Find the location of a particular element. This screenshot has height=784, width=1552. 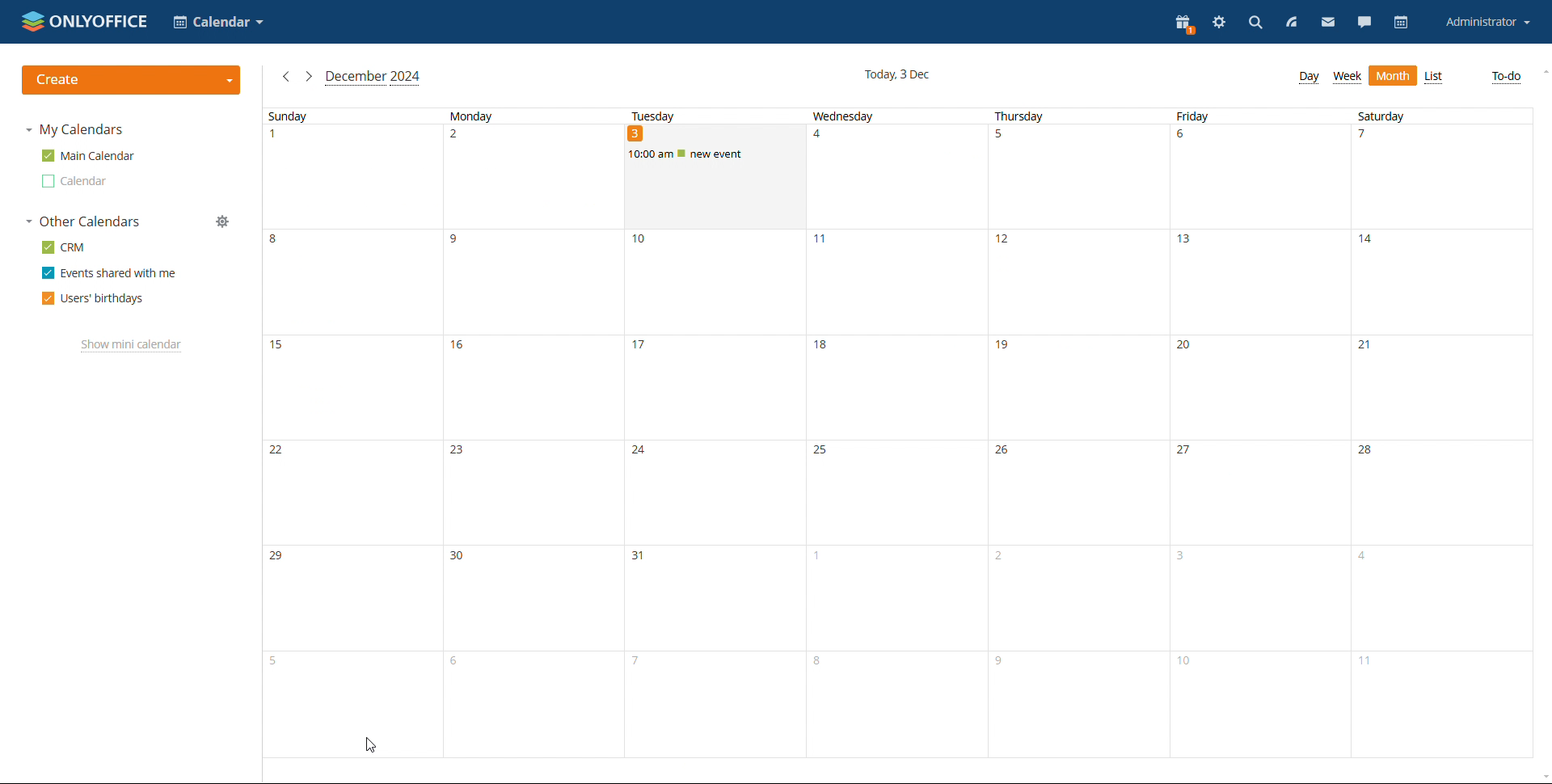

8 is located at coordinates (353, 281).